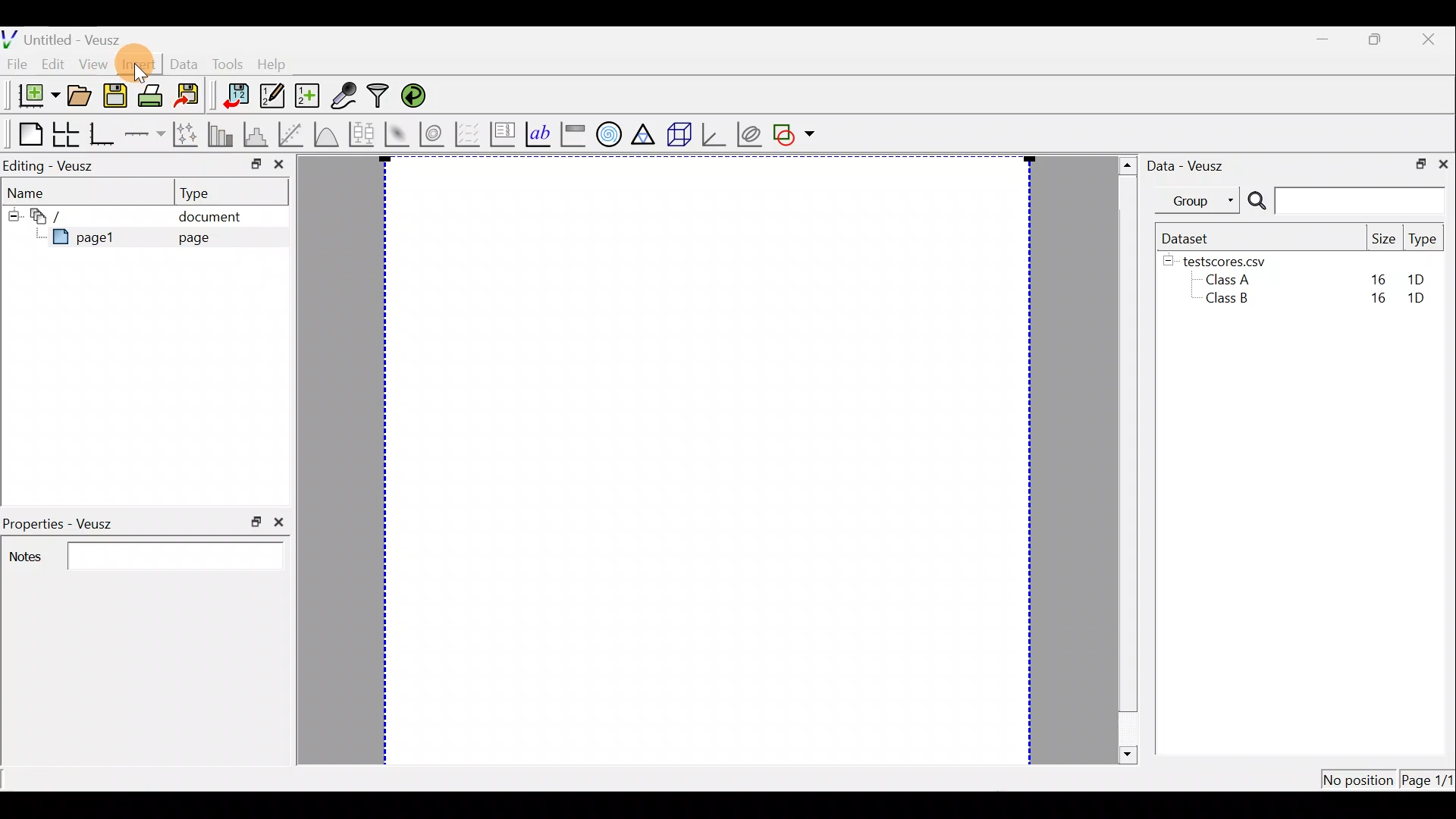 This screenshot has width=1456, height=819. What do you see at coordinates (502, 134) in the screenshot?
I see `Plot key` at bounding box center [502, 134].